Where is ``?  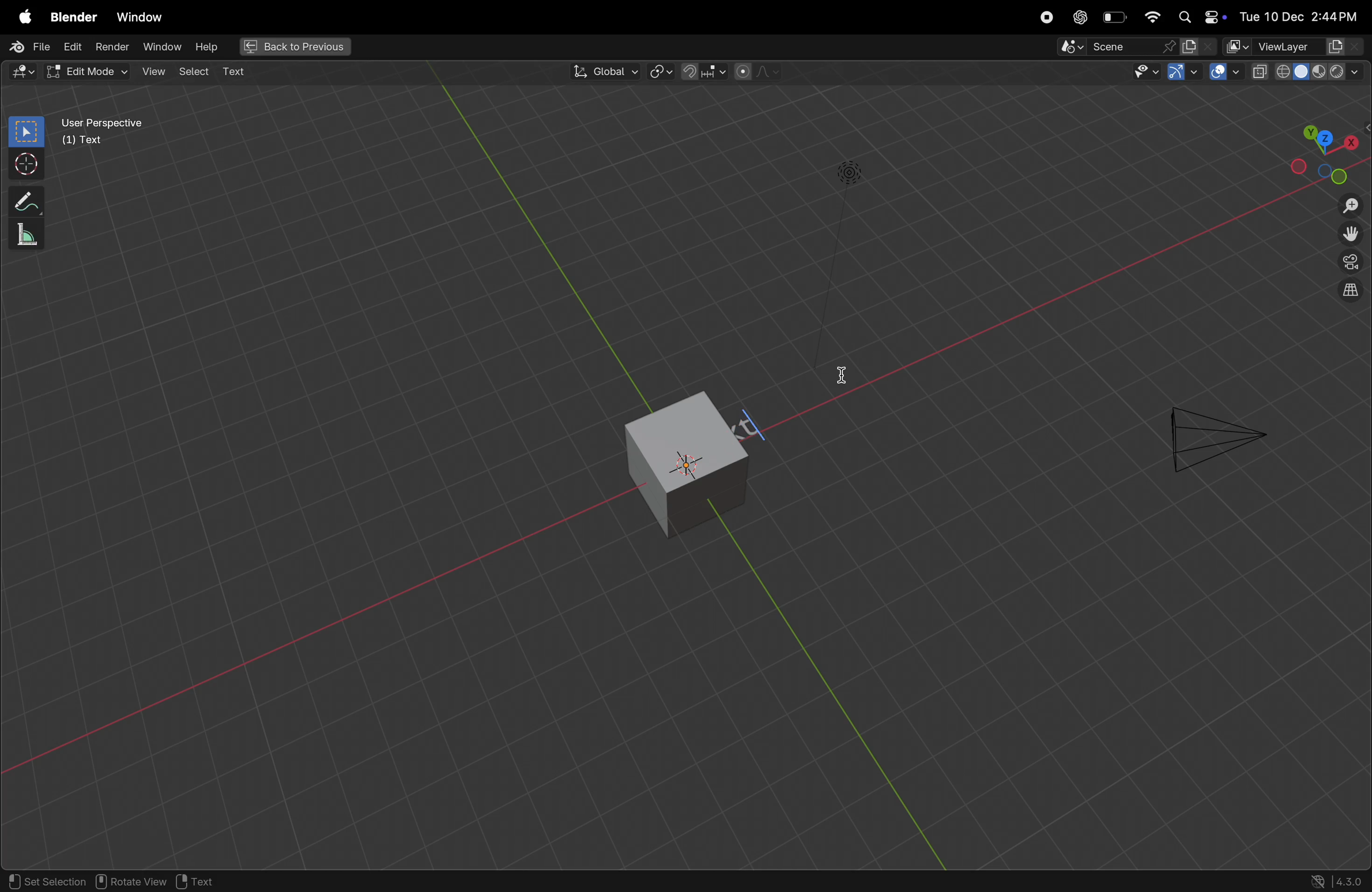  is located at coordinates (1225, 72).